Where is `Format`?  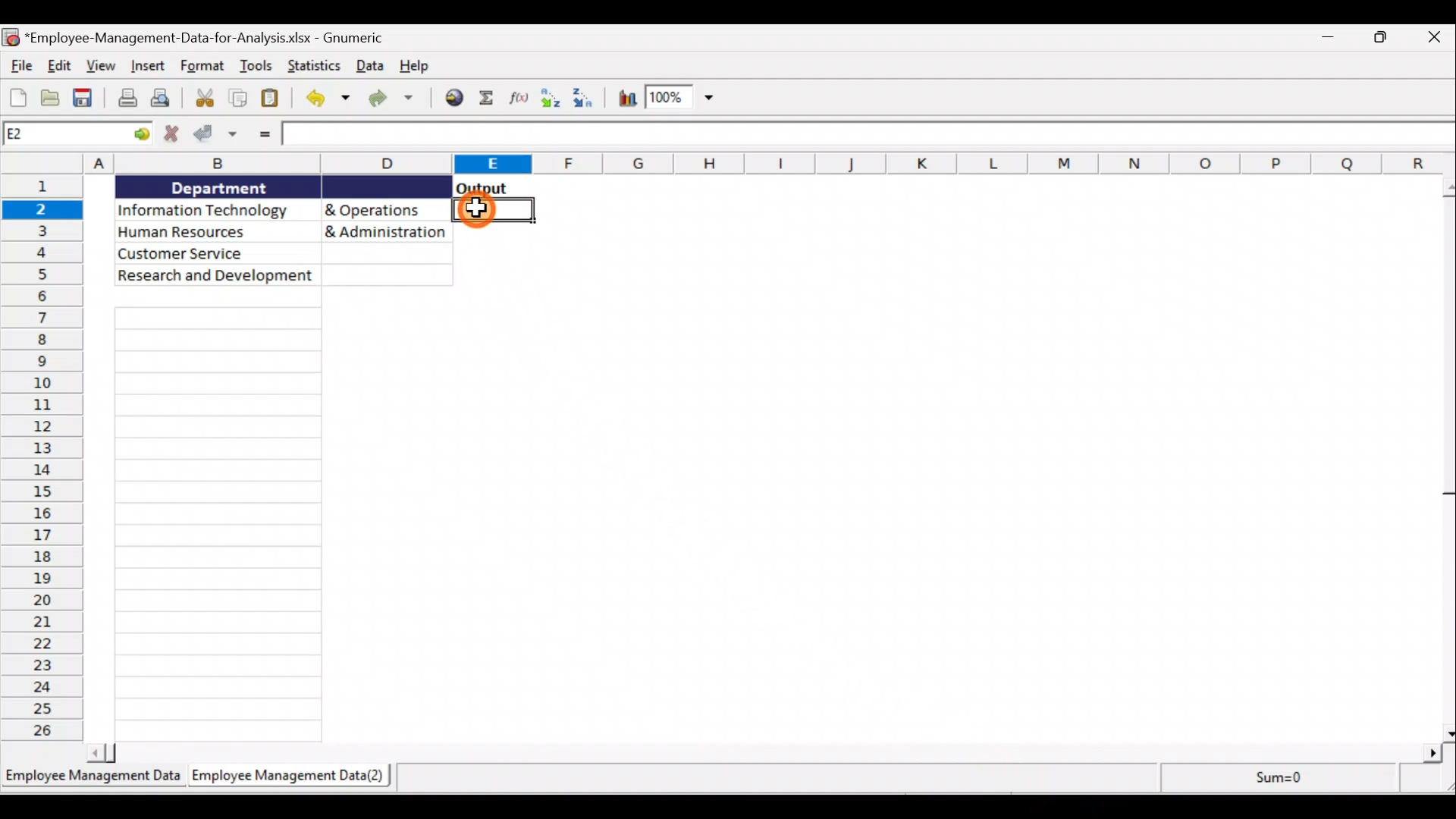 Format is located at coordinates (202, 66).